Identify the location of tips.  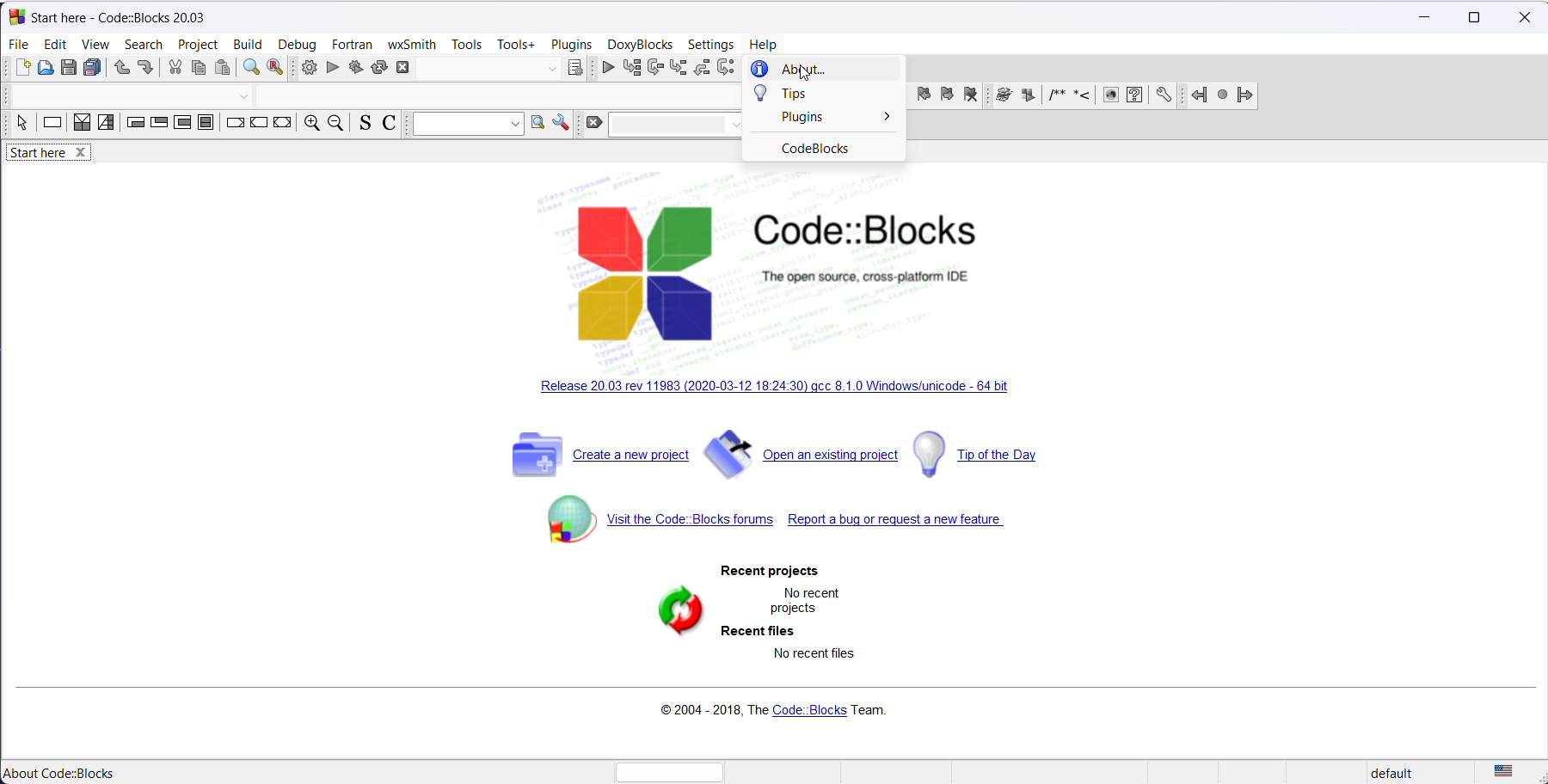
(822, 95).